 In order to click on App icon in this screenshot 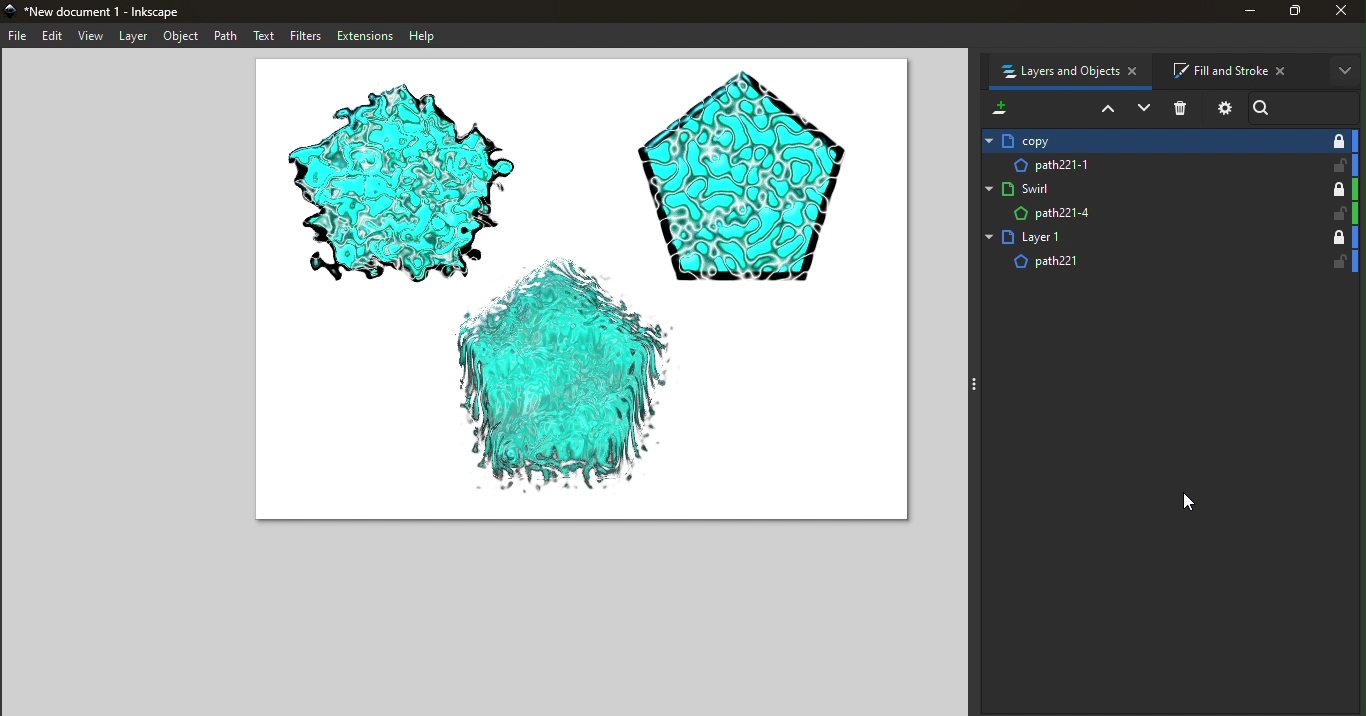, I will do `click(12, 12)`.